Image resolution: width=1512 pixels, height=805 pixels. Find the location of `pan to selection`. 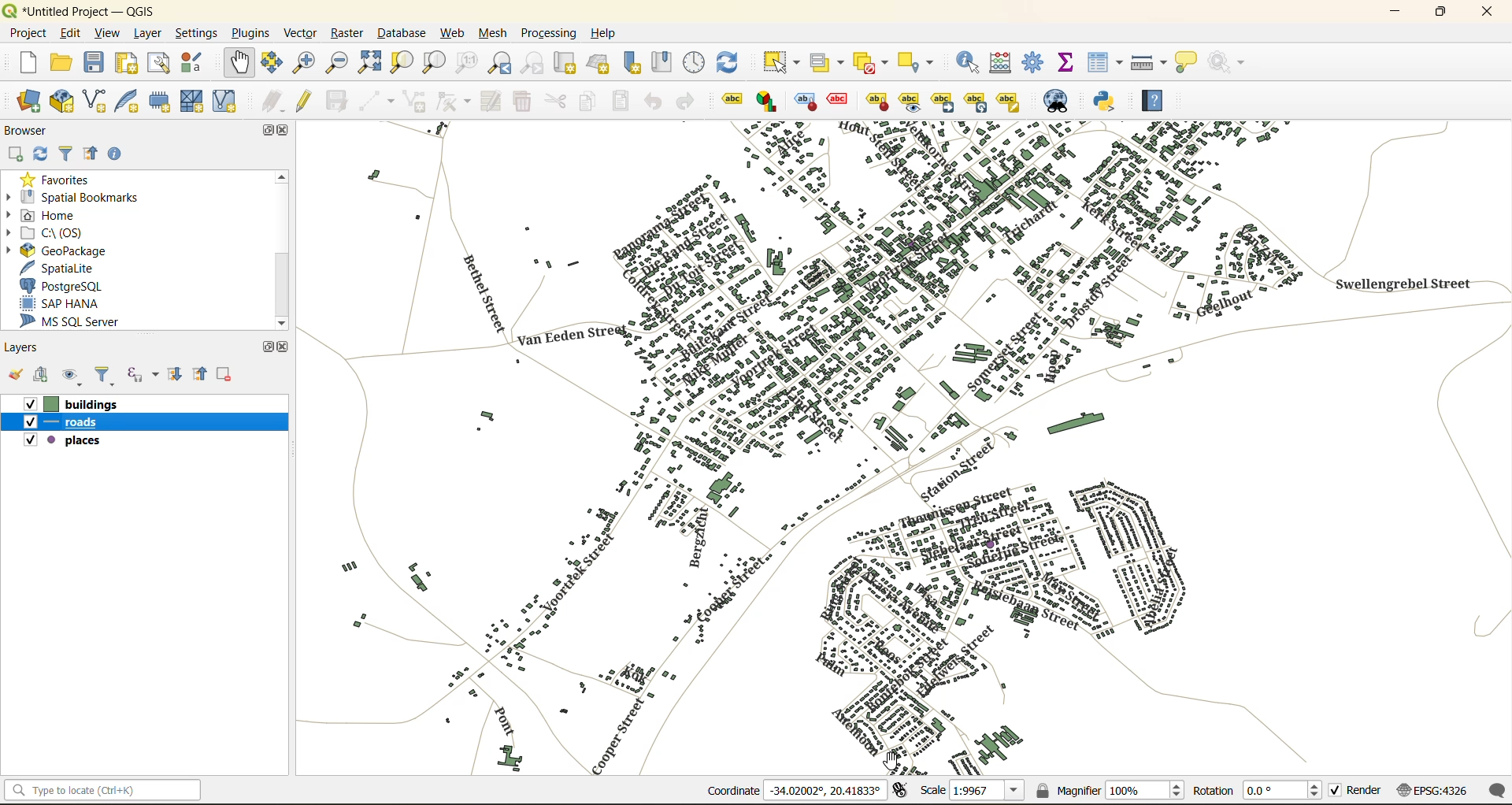

pan to selection is located at coordinates (272, 64).